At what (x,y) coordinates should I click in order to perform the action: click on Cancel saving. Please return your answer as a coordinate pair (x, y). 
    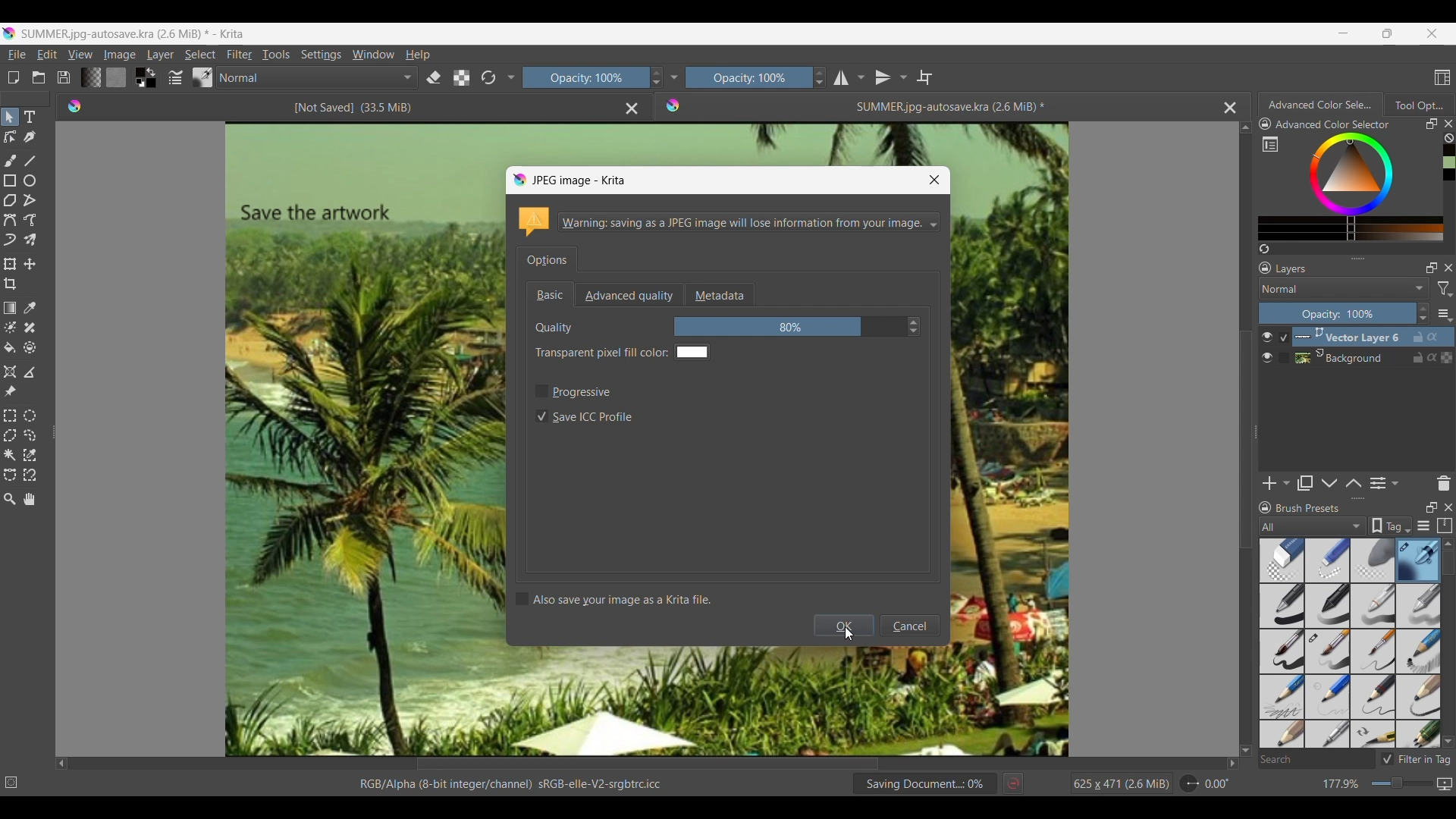
    Looking at the image, I should click on (1013, 783).